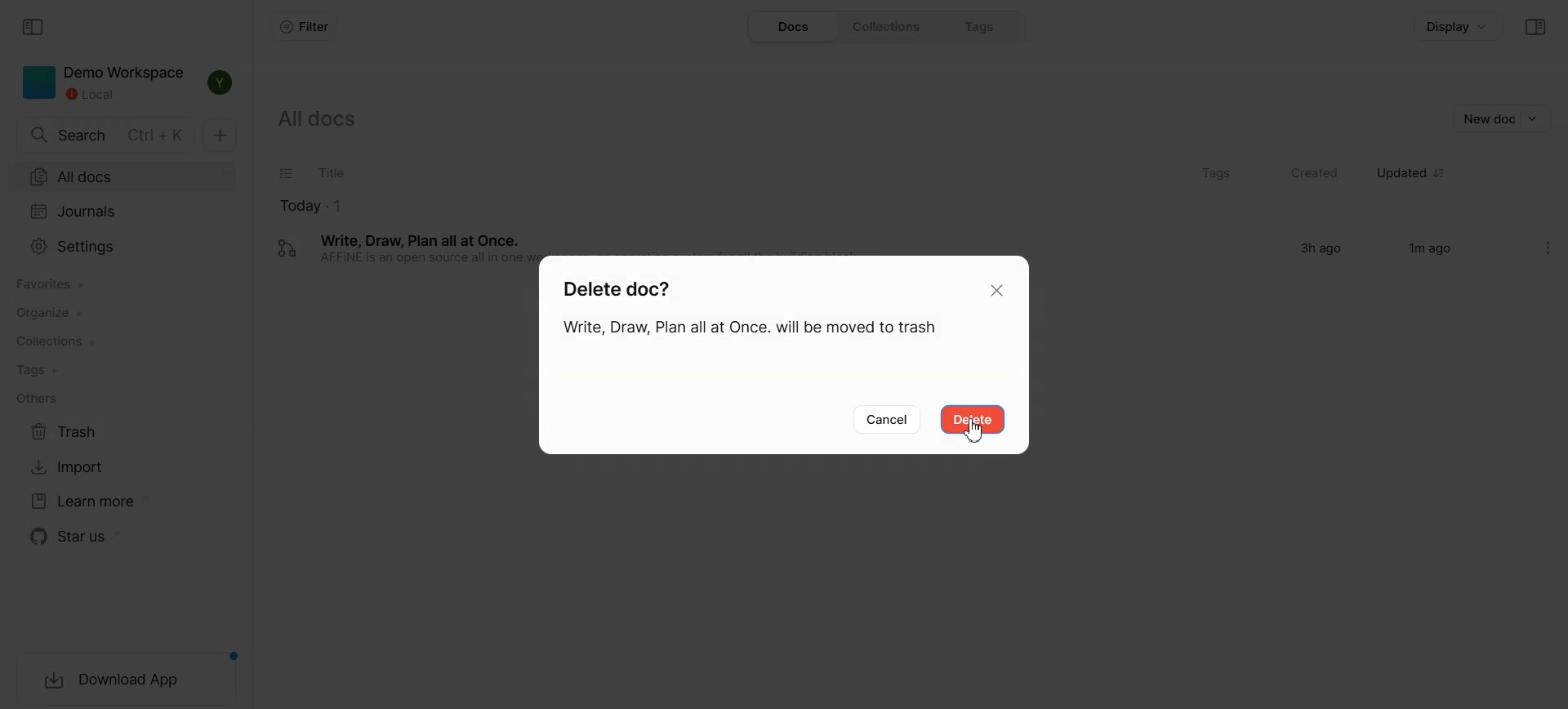  What do you see at coordinates (303, 27) in the screenshot?
I see `Filter` at bounding box center [303, 27].